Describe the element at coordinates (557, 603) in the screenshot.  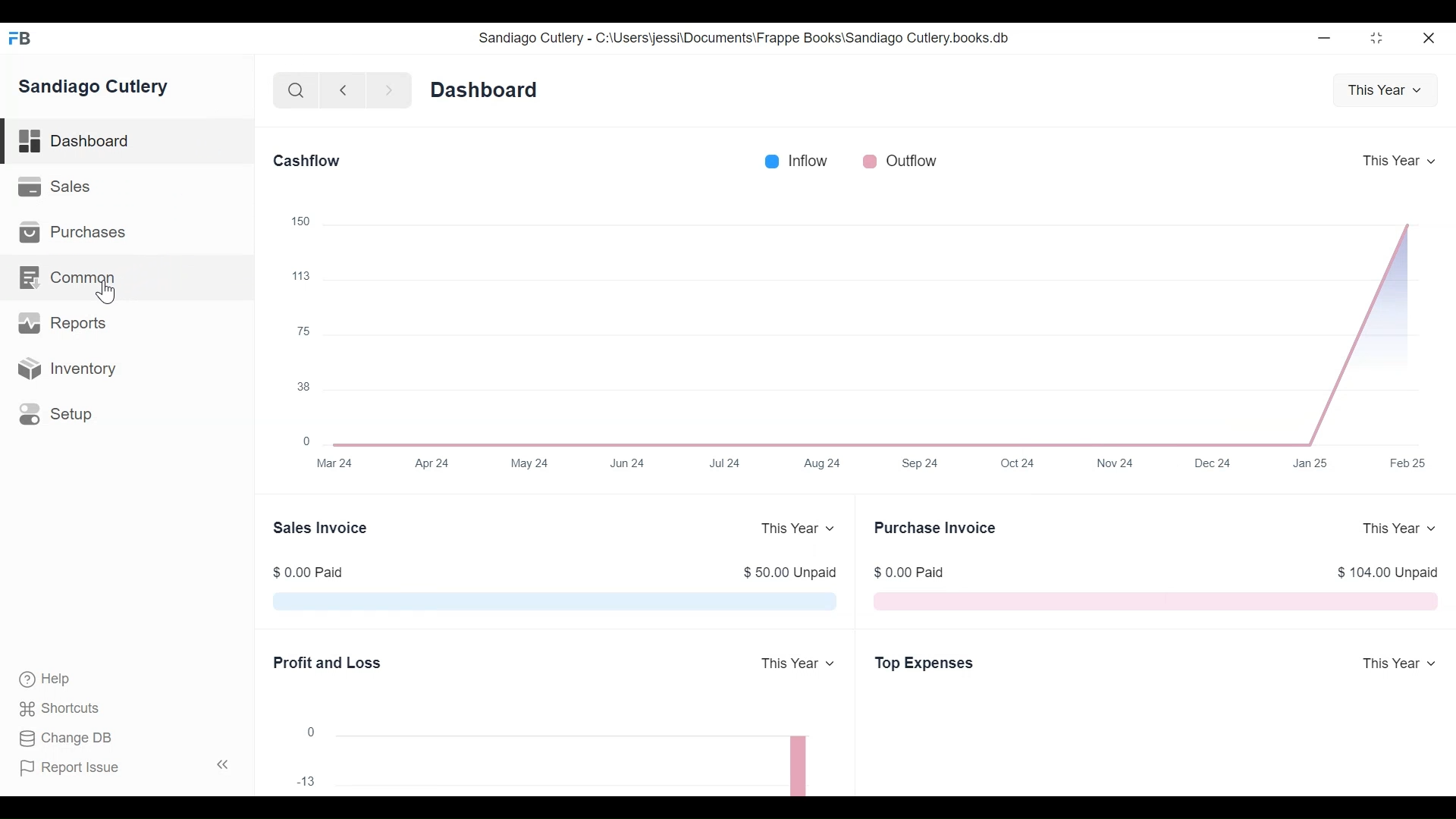
I see `The Sales Invoice chart shows the total outstanding amount which is pending from Sandiago Cutlery customers for their sales` at that location.